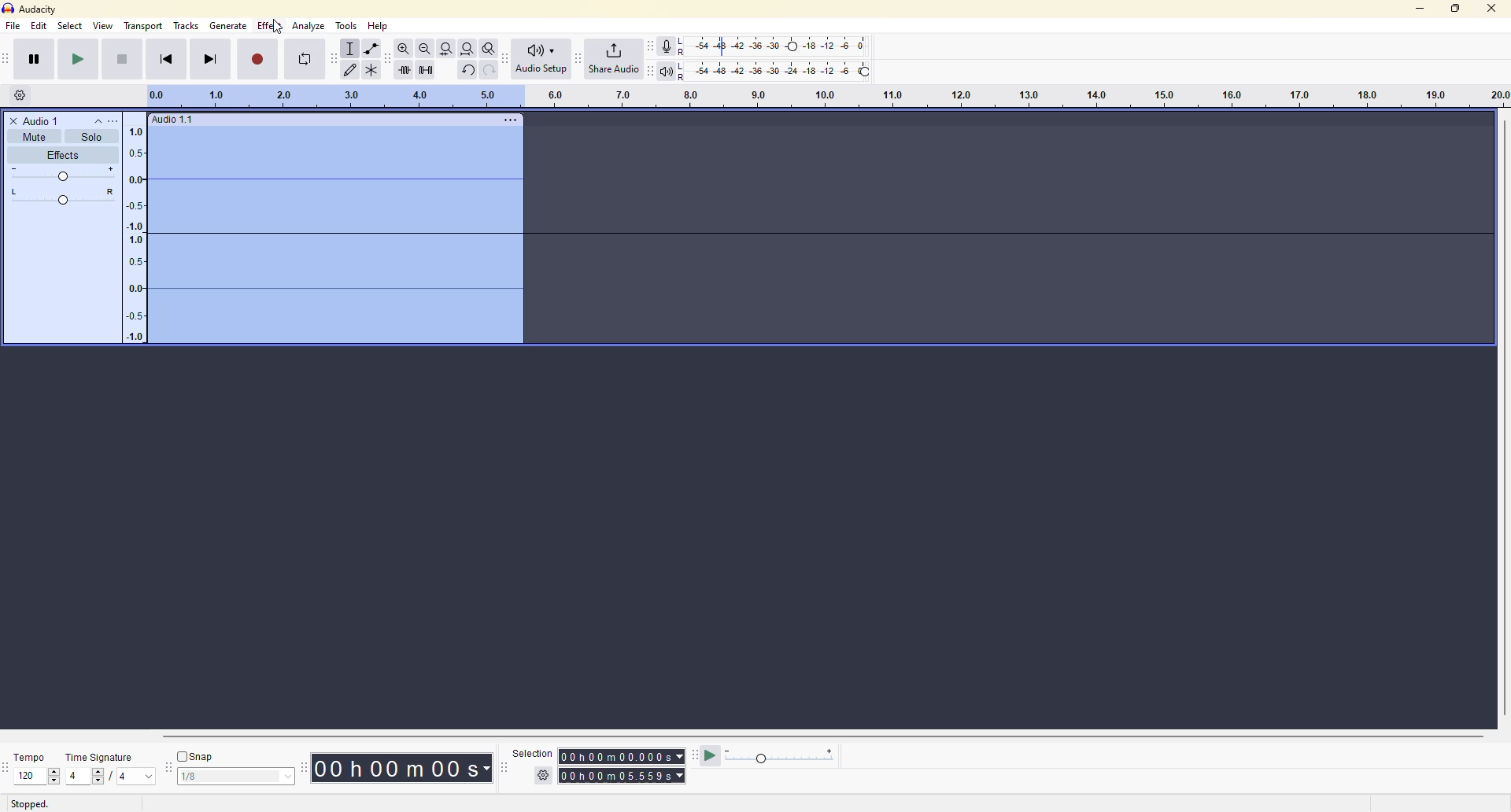 This screenshot has height=812, width=1511. What do you see at coordinates (123, 778) in the screenshot?
I see `4` at bounding box center [123, 778].